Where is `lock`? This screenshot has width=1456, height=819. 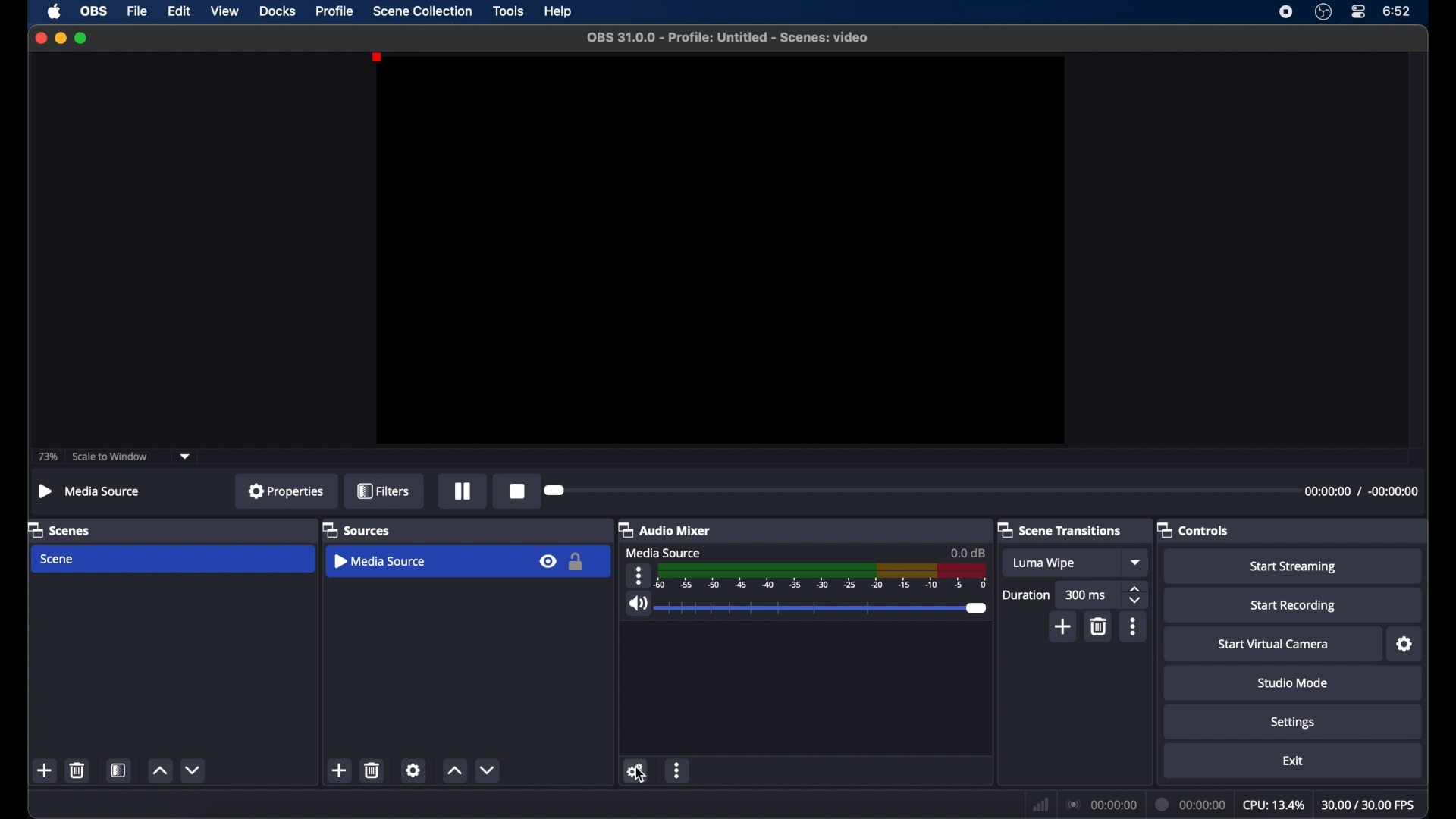 lock is located at coordinates (579, 561).